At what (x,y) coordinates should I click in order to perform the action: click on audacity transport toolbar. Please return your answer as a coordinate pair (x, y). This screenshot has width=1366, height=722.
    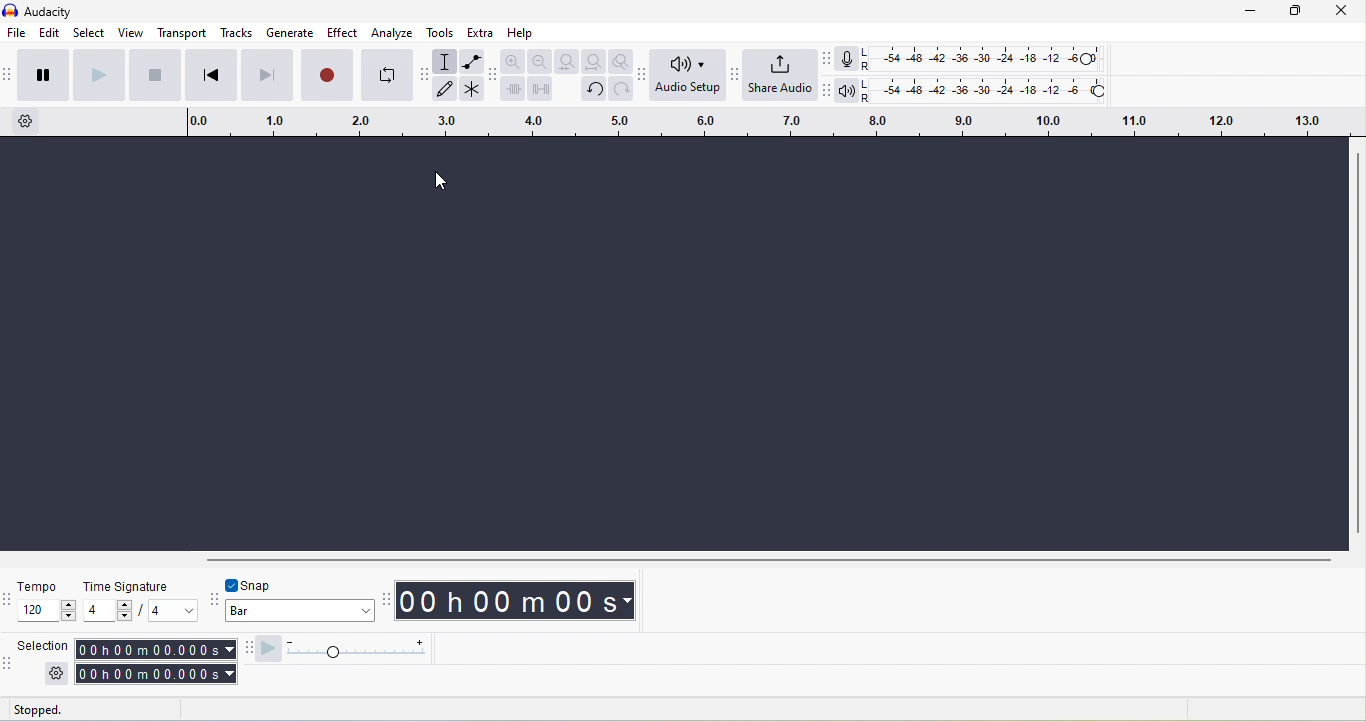
    Looking at the image, I should click on (9, 75).